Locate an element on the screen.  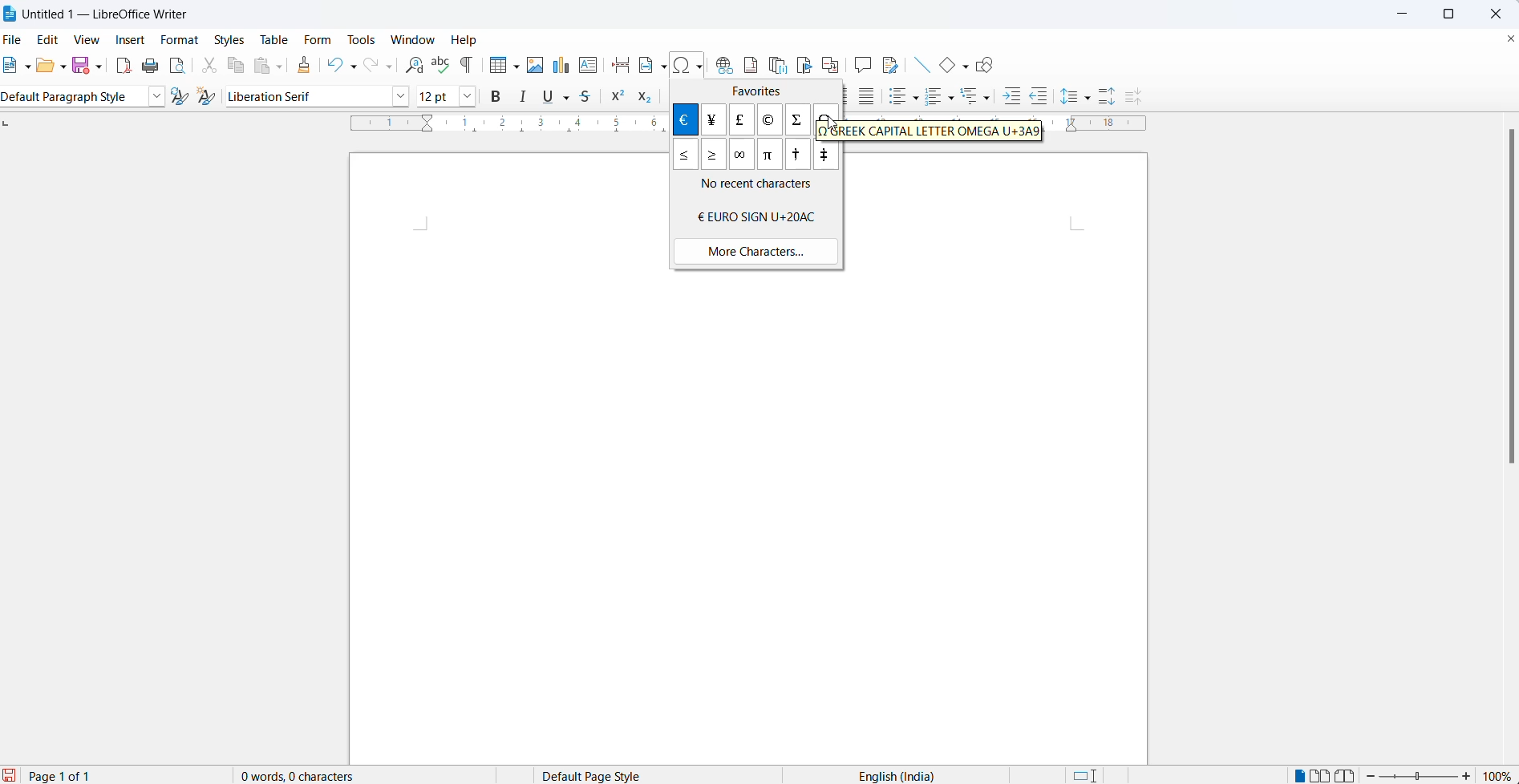
libreoffice logo is located at coordinates (11, 12).